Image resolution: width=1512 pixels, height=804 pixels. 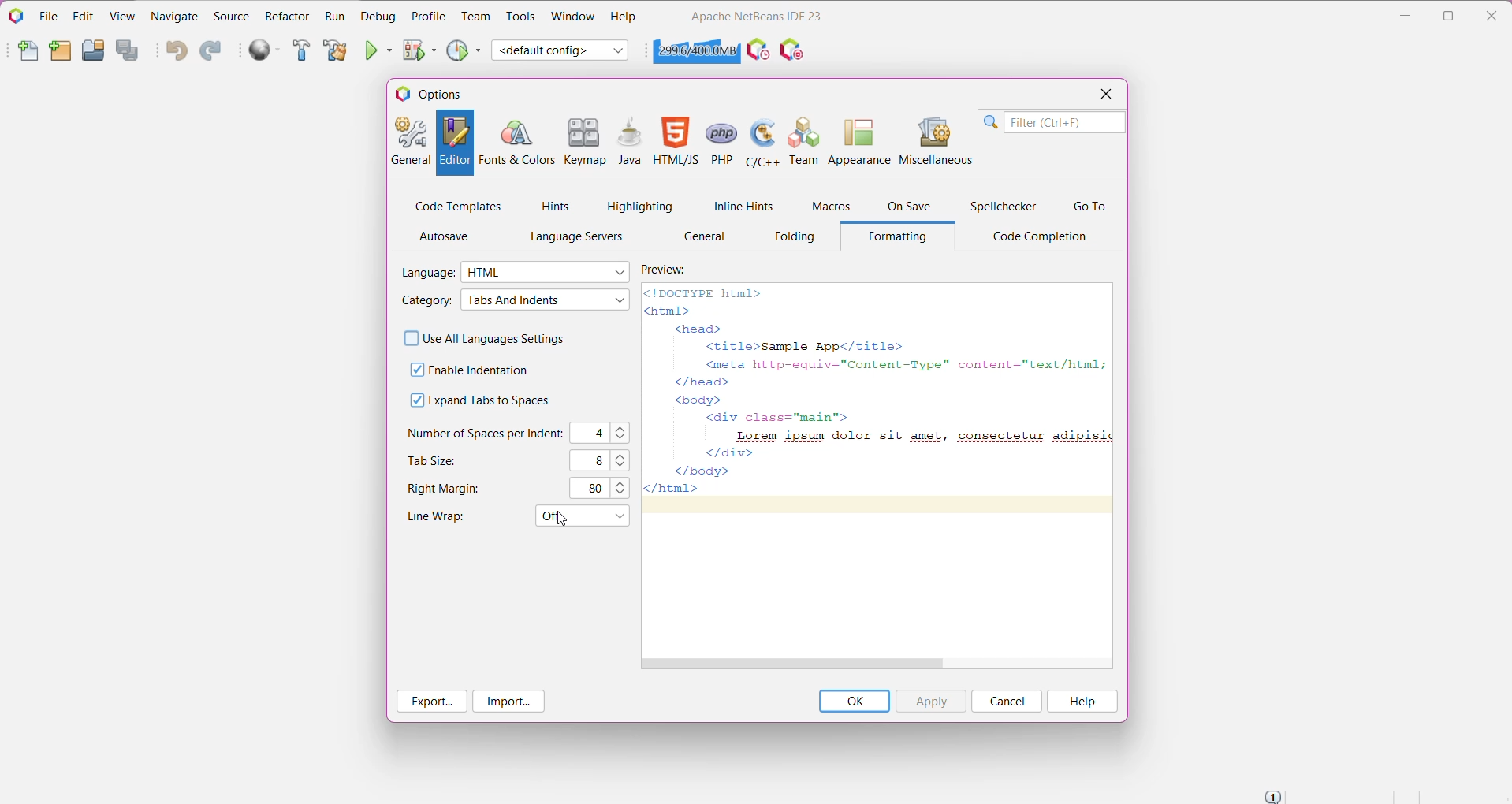 I want to click on General, so click(x=706, y=238).